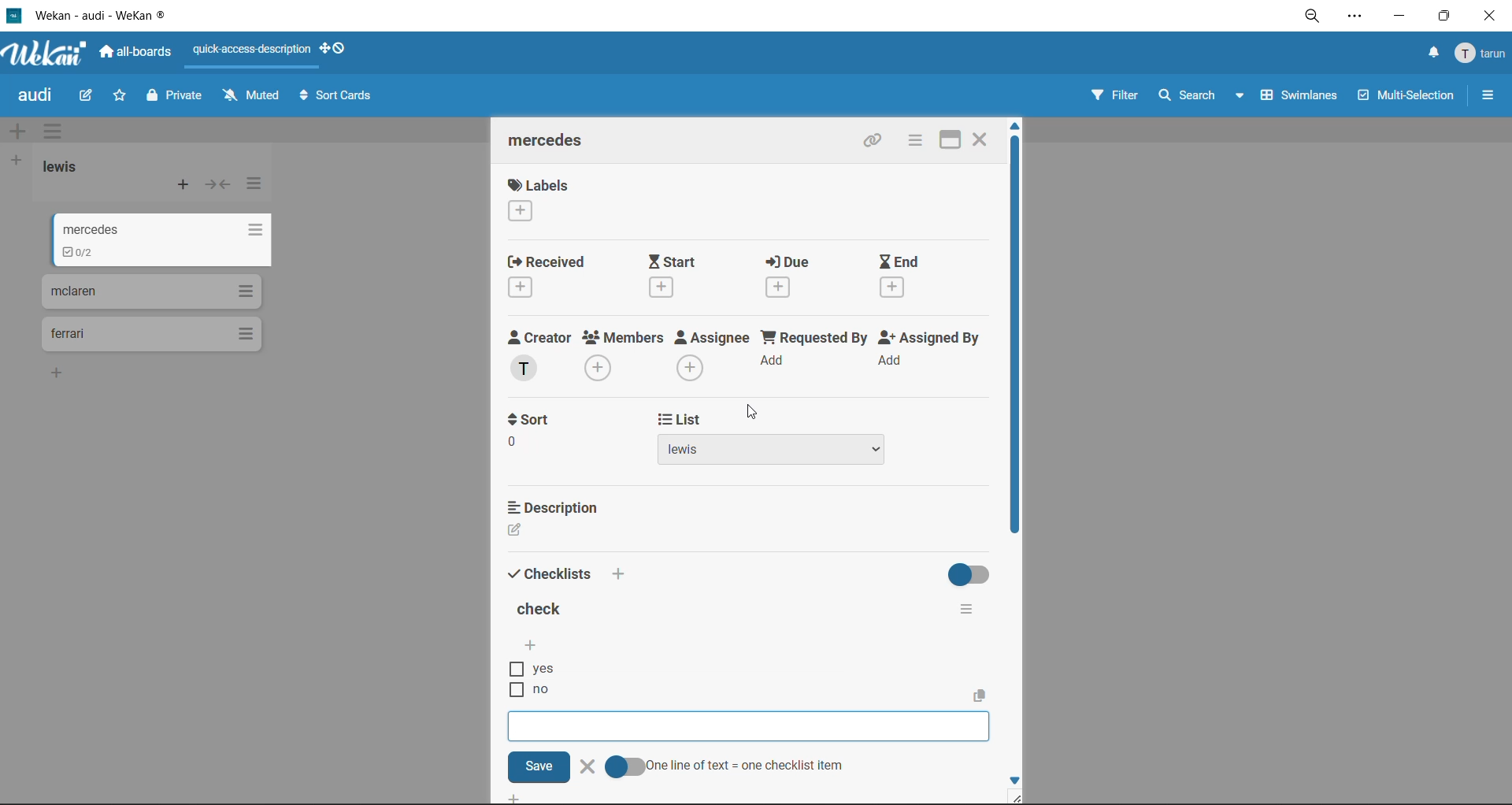  What do you see at coordinates (17, 132) in the screenshot?
I see `add swimlane` at bounding box center [17, 132].